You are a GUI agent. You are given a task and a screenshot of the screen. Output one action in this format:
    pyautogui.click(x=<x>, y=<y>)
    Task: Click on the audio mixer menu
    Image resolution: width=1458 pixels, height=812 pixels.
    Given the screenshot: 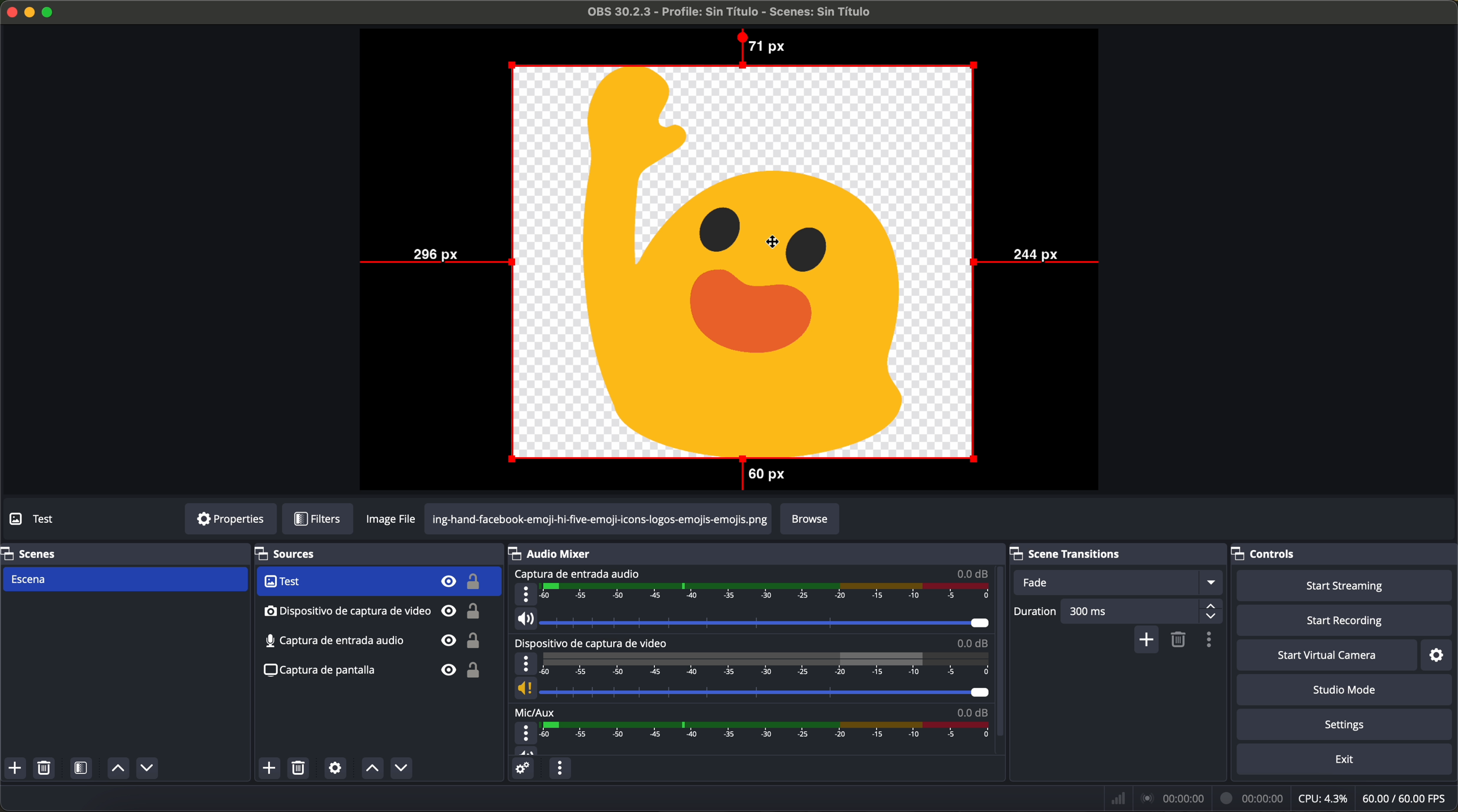 What is the action you would take?
    pyautogui.click(x=559, y=768)
    